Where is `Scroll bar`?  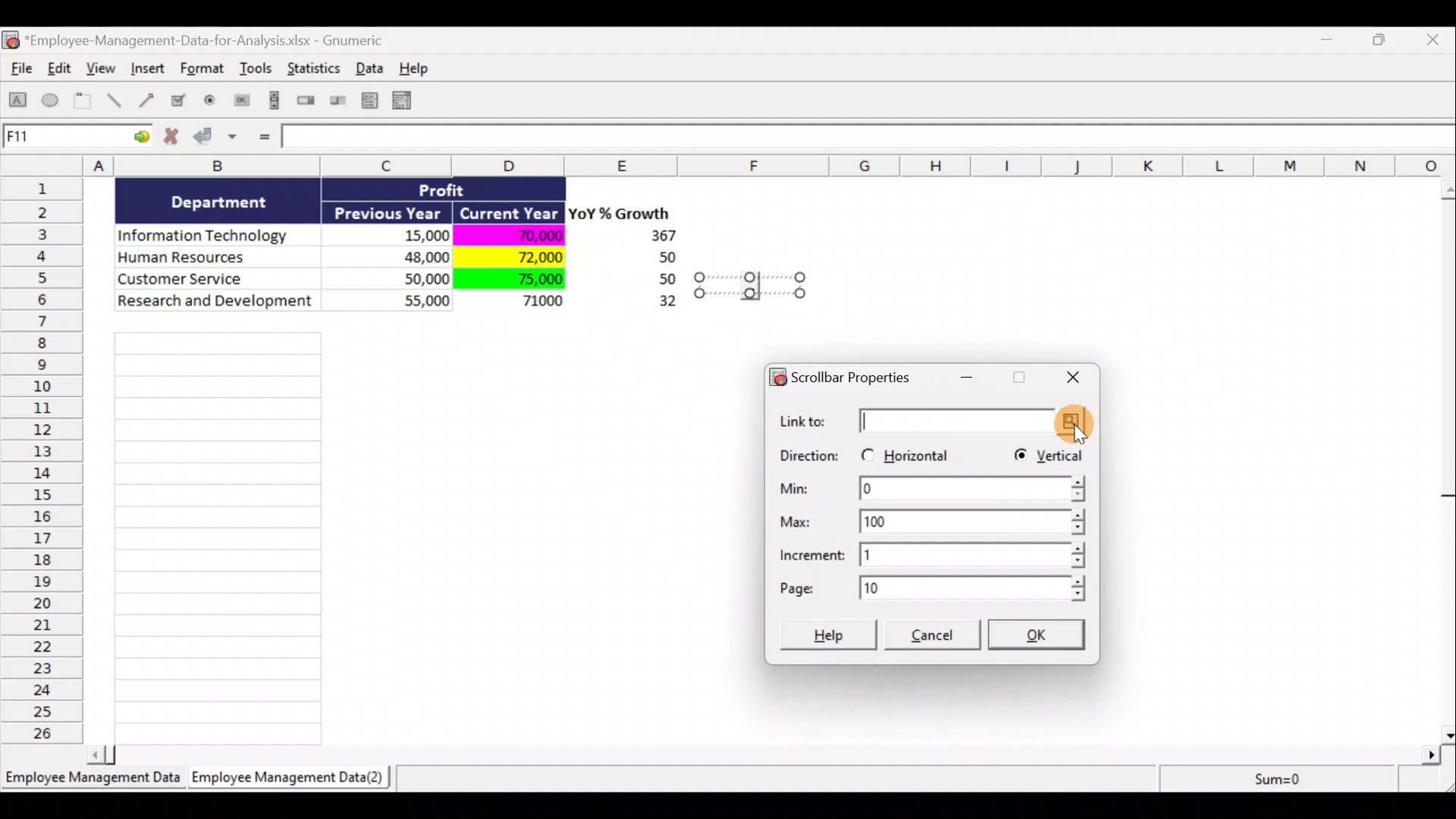 Scroll bar is located at coordinates (1446, 458).